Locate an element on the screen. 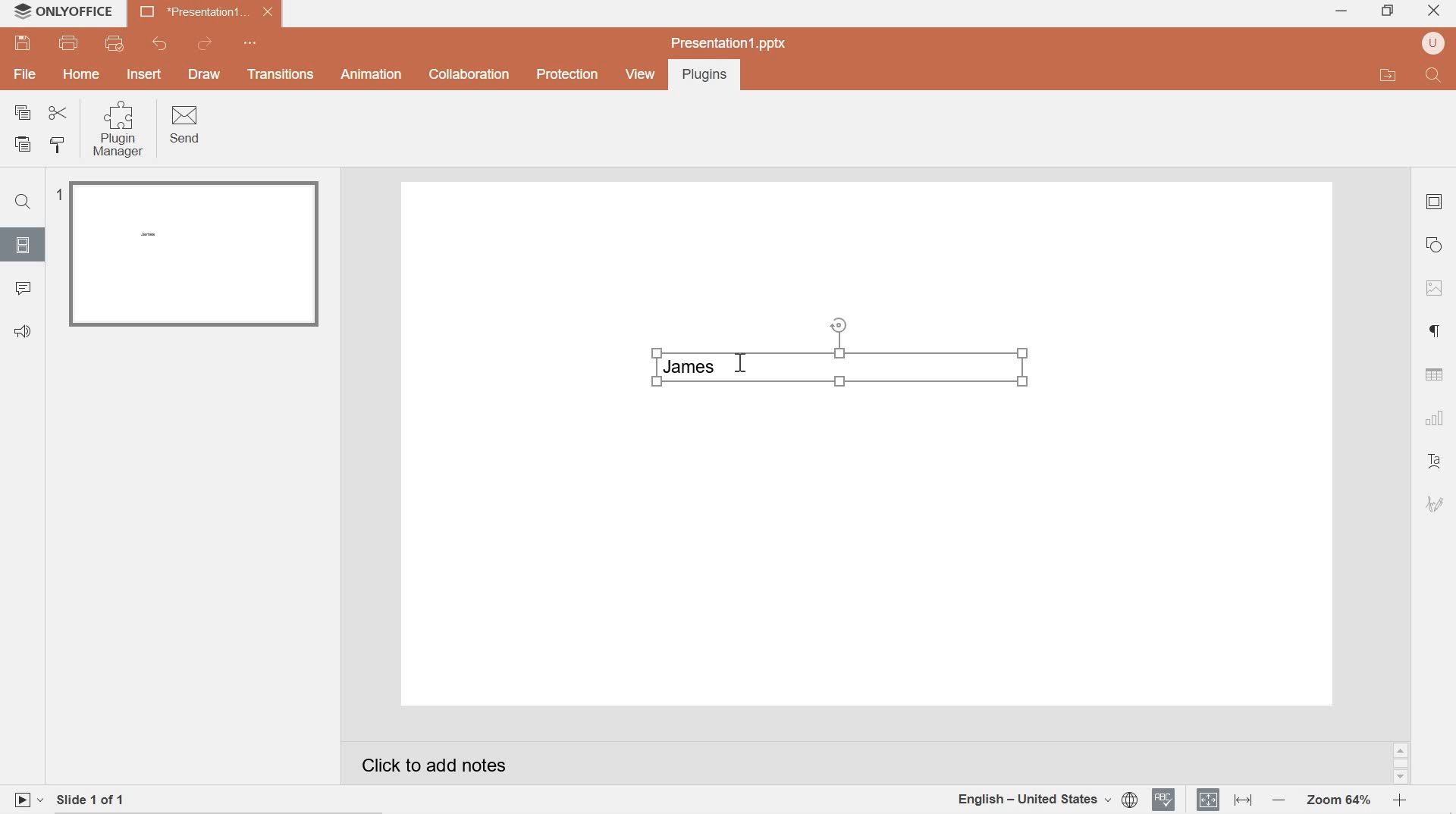 The height and width of the screenshot is (814, 1456). close is located at coordinates (1436, 8).